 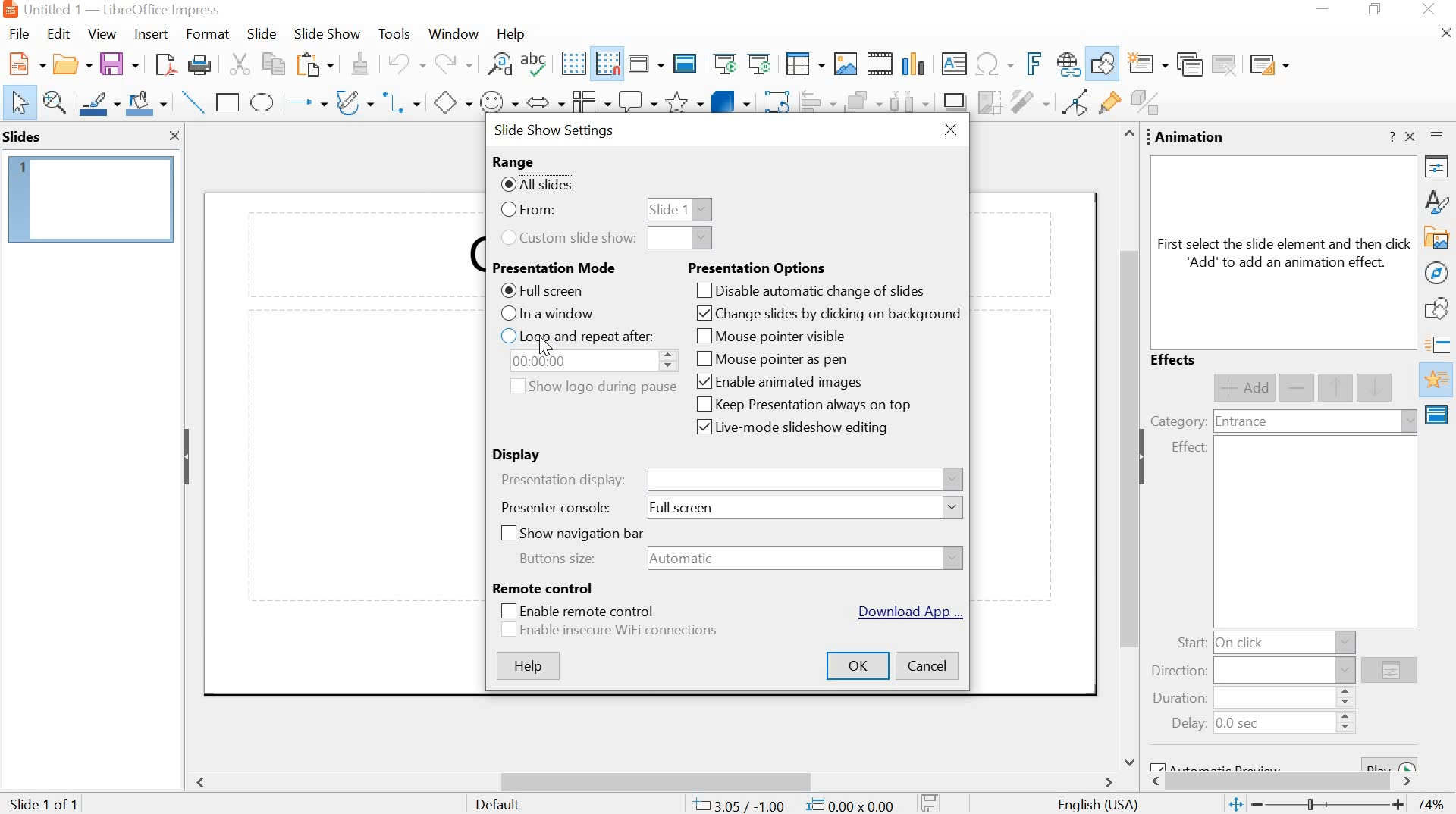 What do you see at coordinates (790, 428) in the screenshot?
I see `live-mode slideshow editing` at bounding box center [790, 428].